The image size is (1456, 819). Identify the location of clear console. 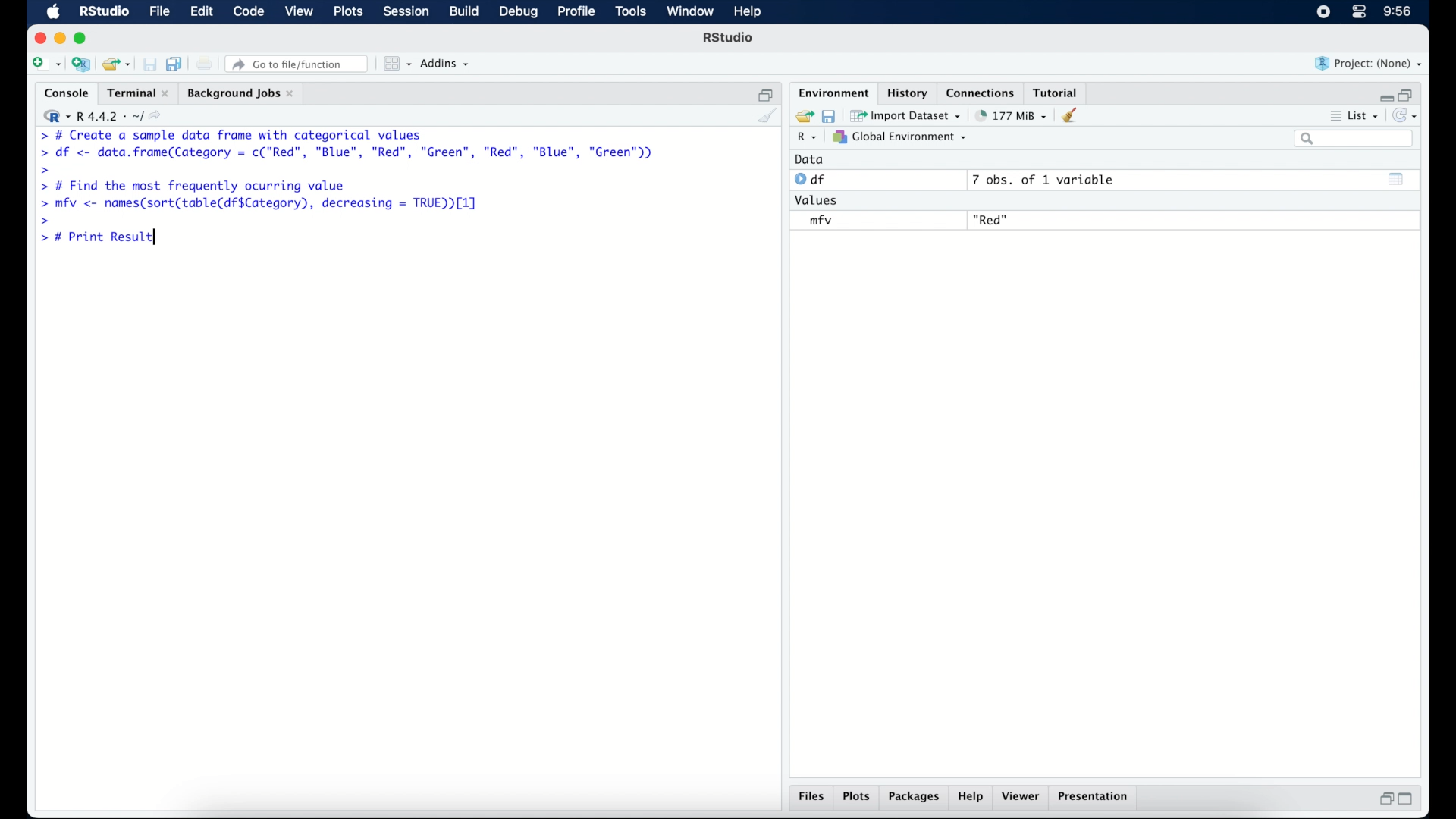
(768, 116).